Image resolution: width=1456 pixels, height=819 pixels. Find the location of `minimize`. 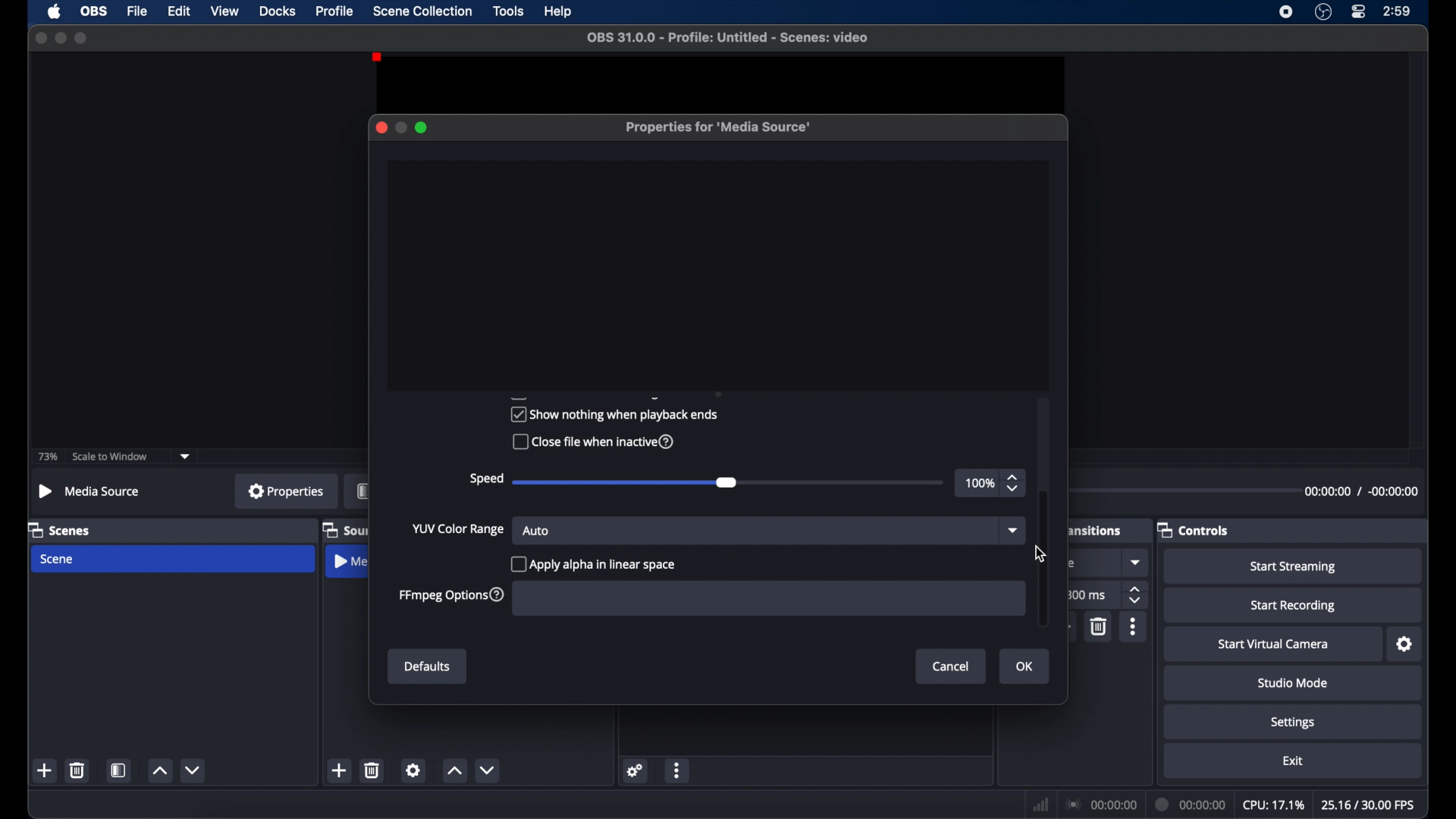

minimize is located at coordinates (400, 127).